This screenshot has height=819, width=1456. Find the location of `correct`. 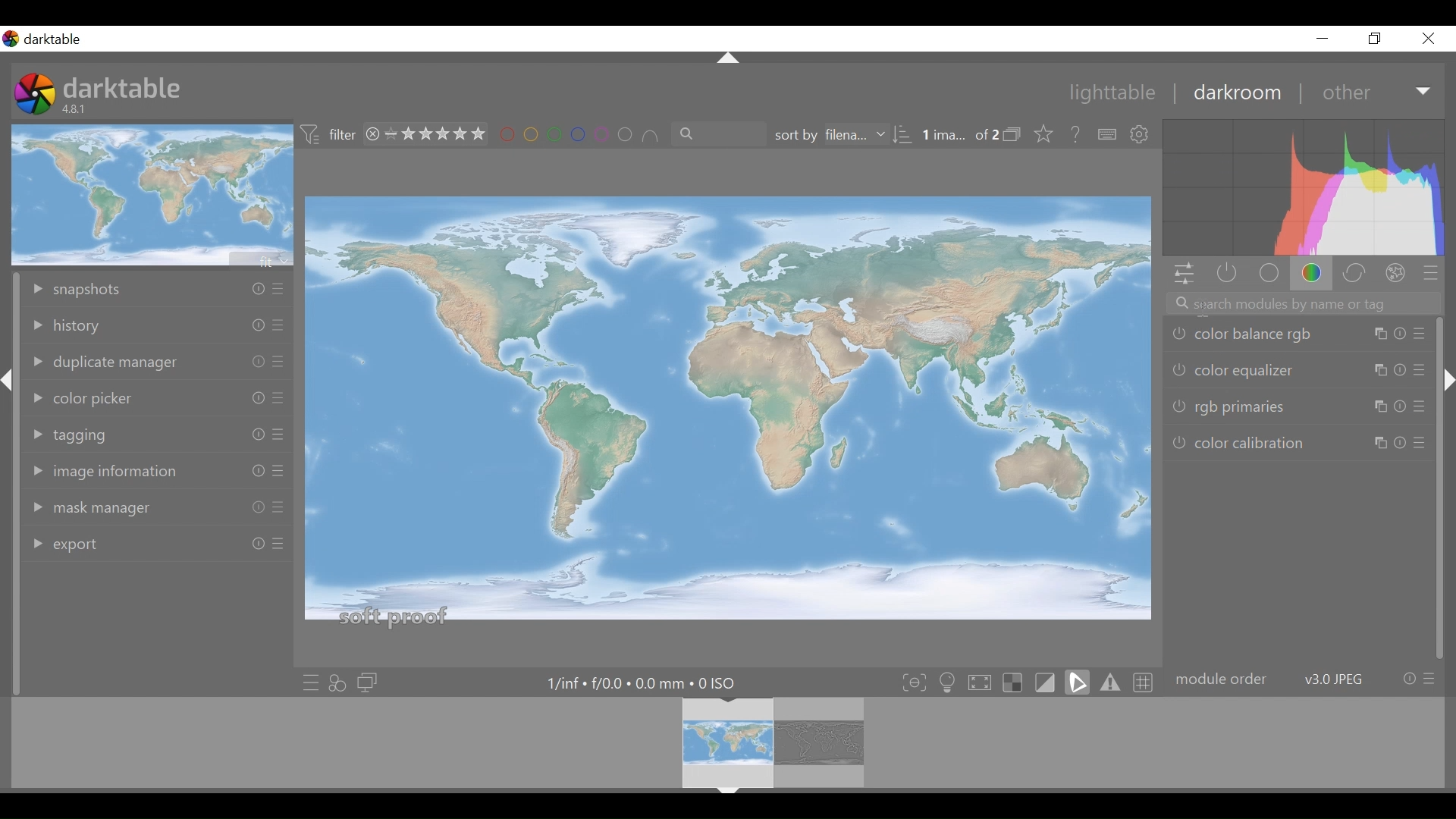

correct is located at coordinates (1354, 272).